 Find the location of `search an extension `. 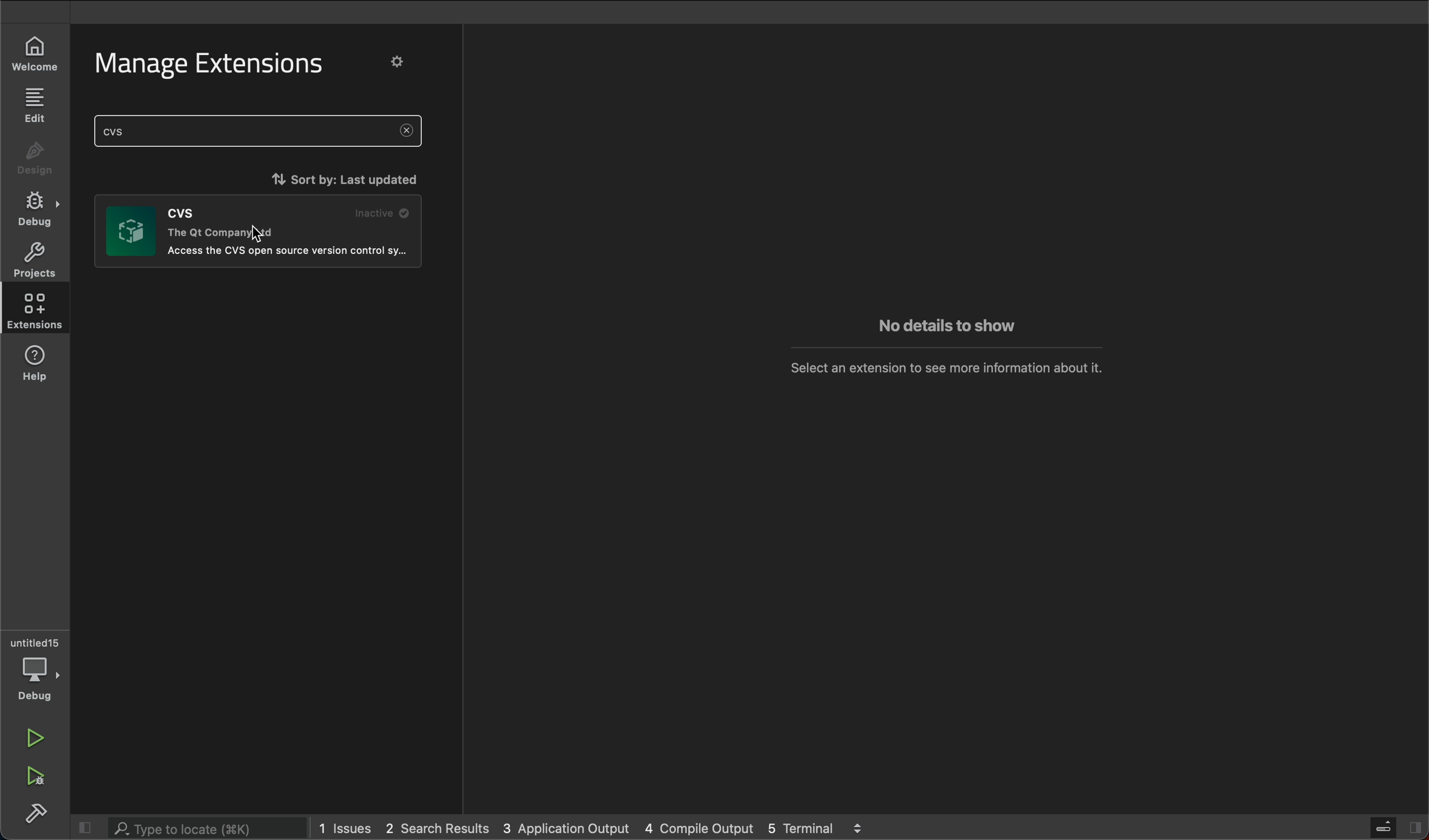

search an extension  is located at coordinates (205, 130).